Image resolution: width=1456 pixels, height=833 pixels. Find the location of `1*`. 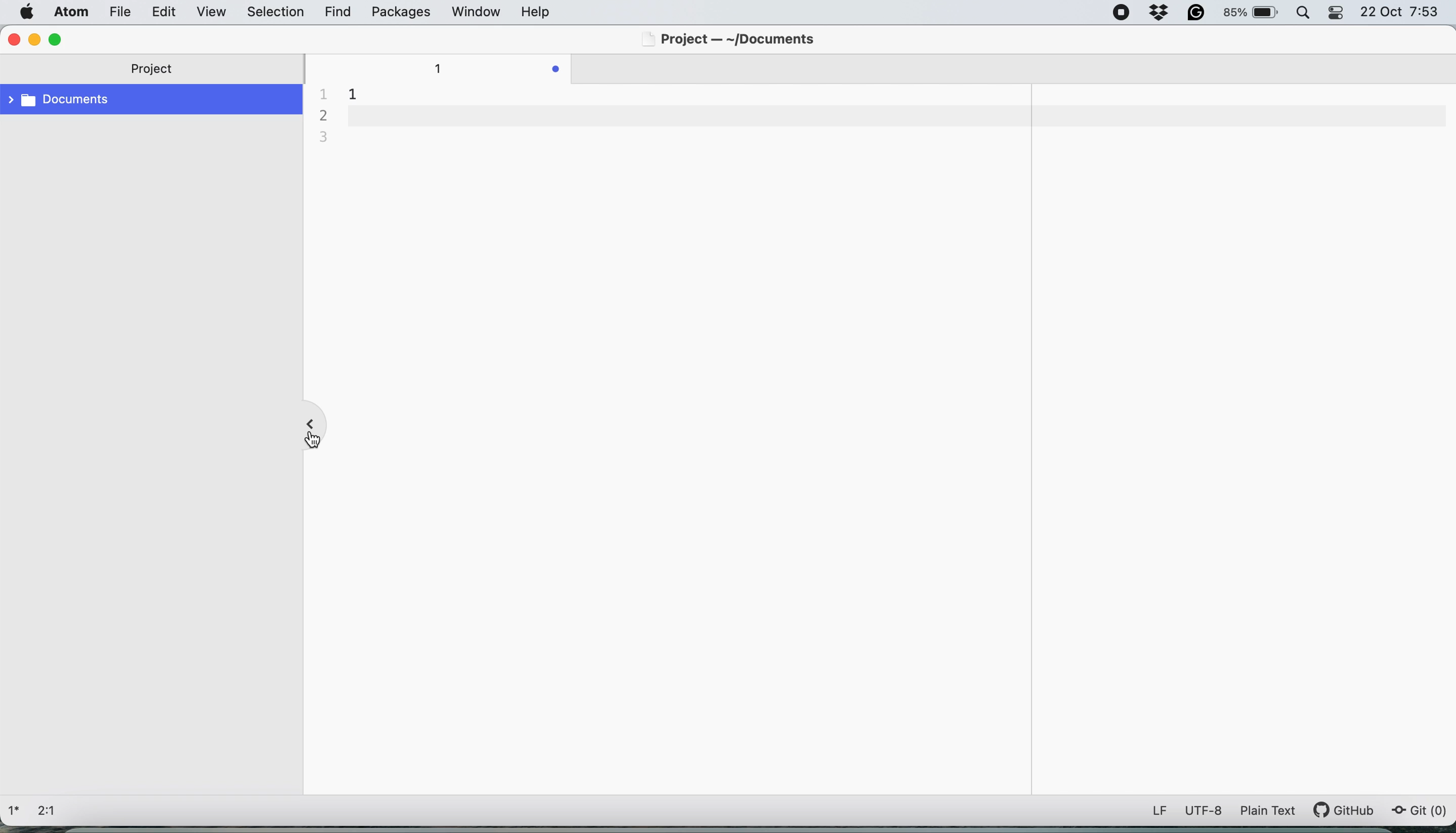

1* is located at coordinates (17, 809).